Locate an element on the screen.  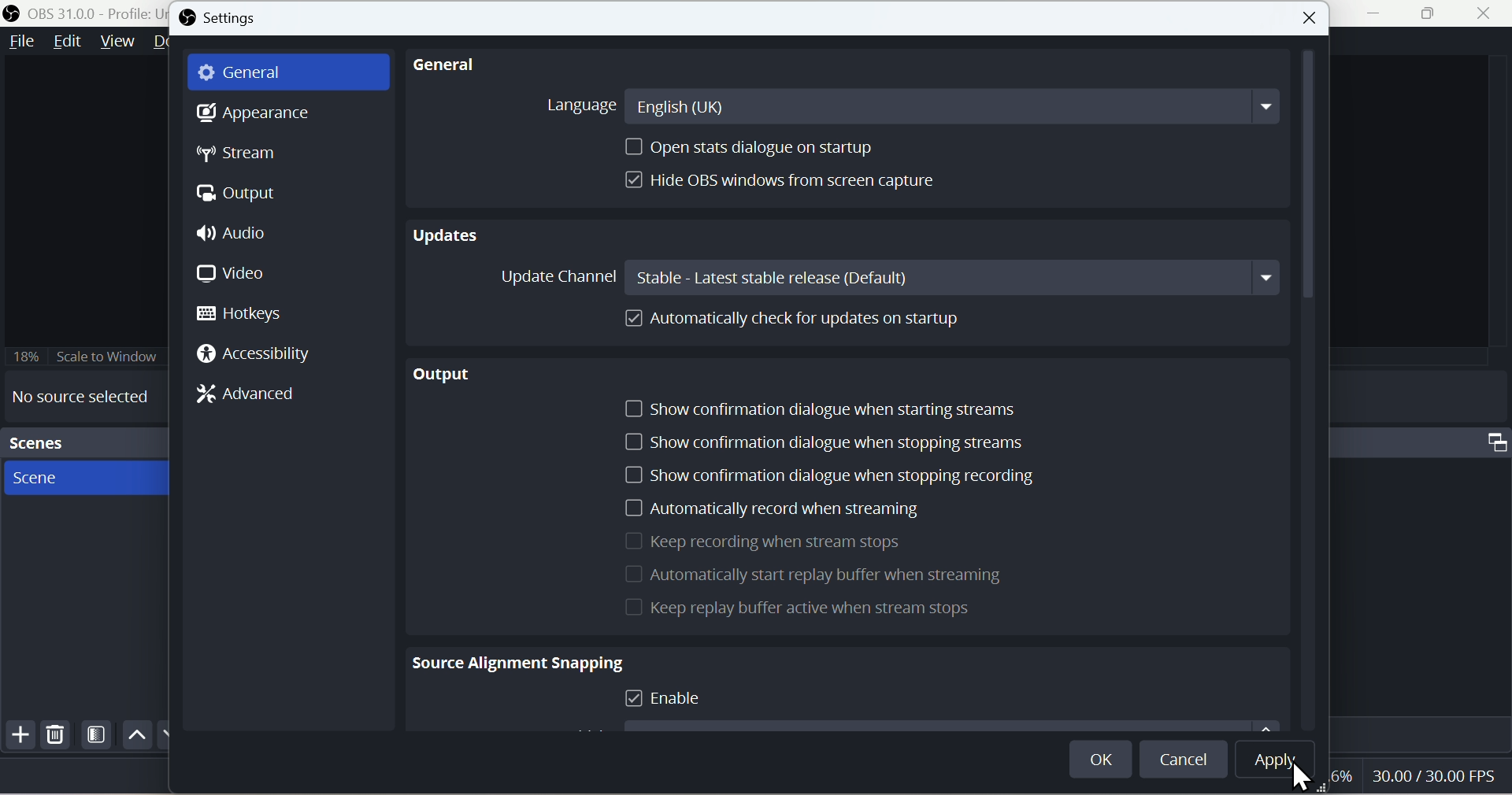
Otput is located at coordinates (241, 195).